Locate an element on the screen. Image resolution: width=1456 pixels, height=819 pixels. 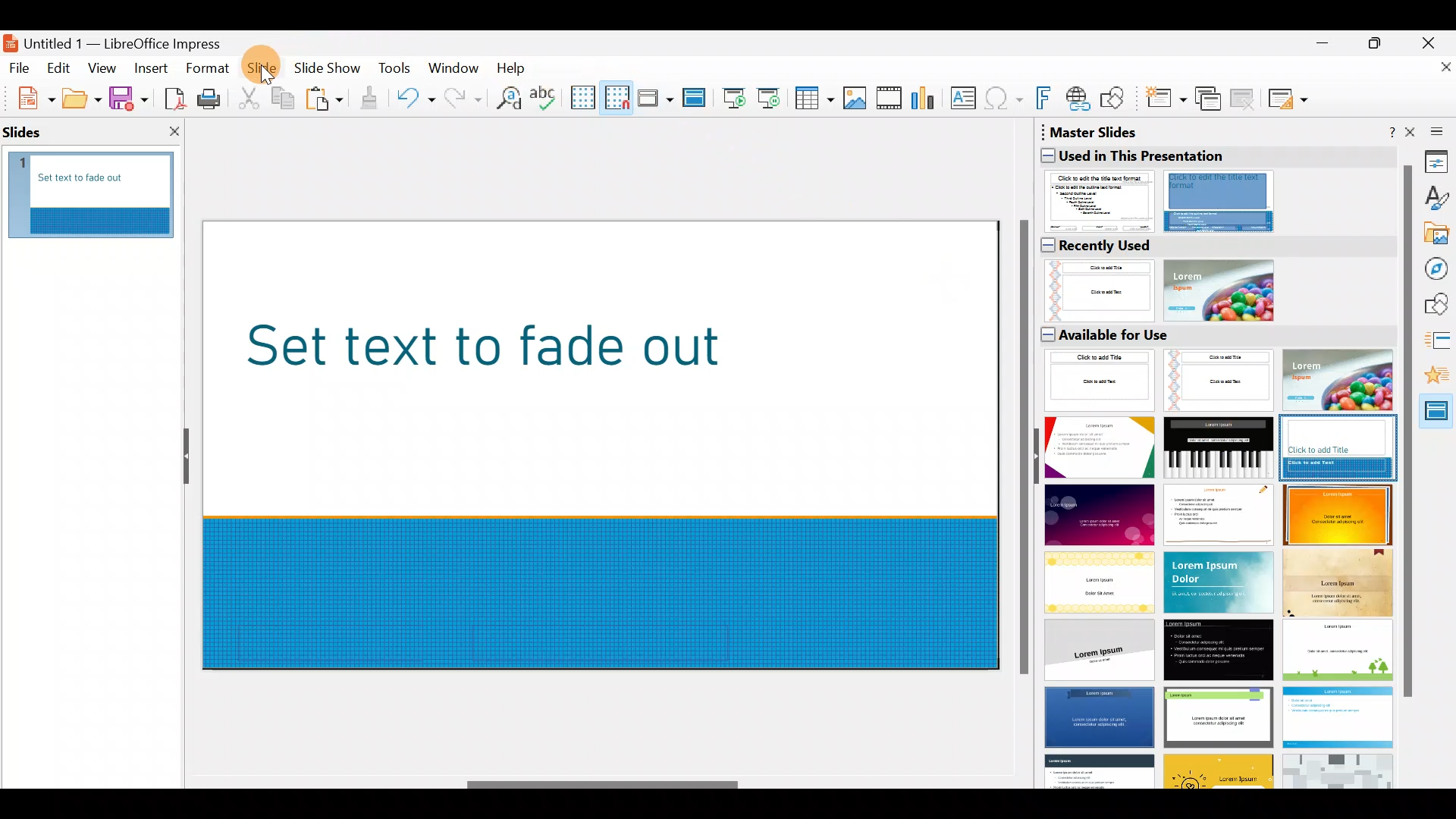
New slide is located at coordinates (1165, 102).